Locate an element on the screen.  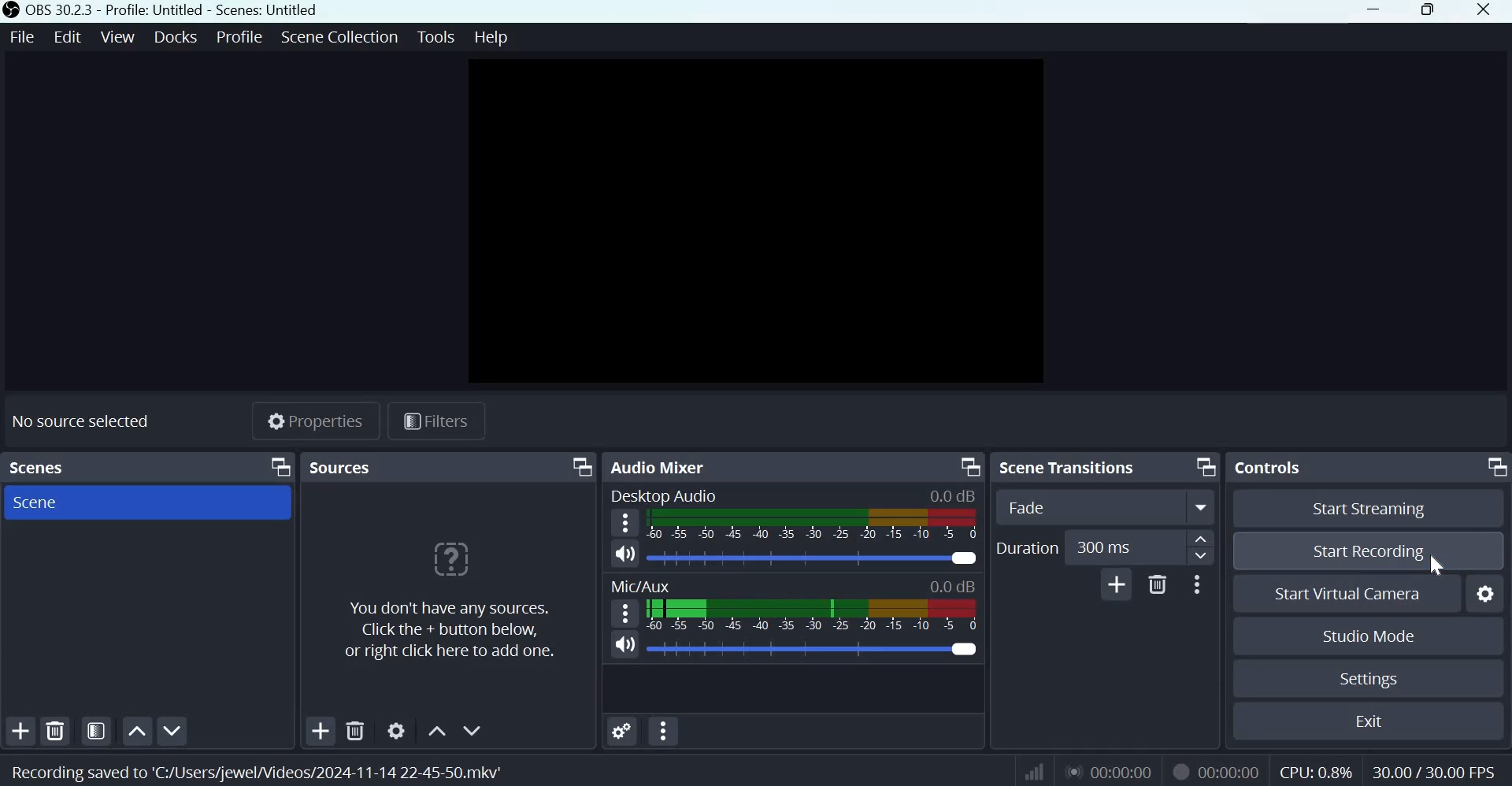
Canvas is located at coordinates (754, 218).